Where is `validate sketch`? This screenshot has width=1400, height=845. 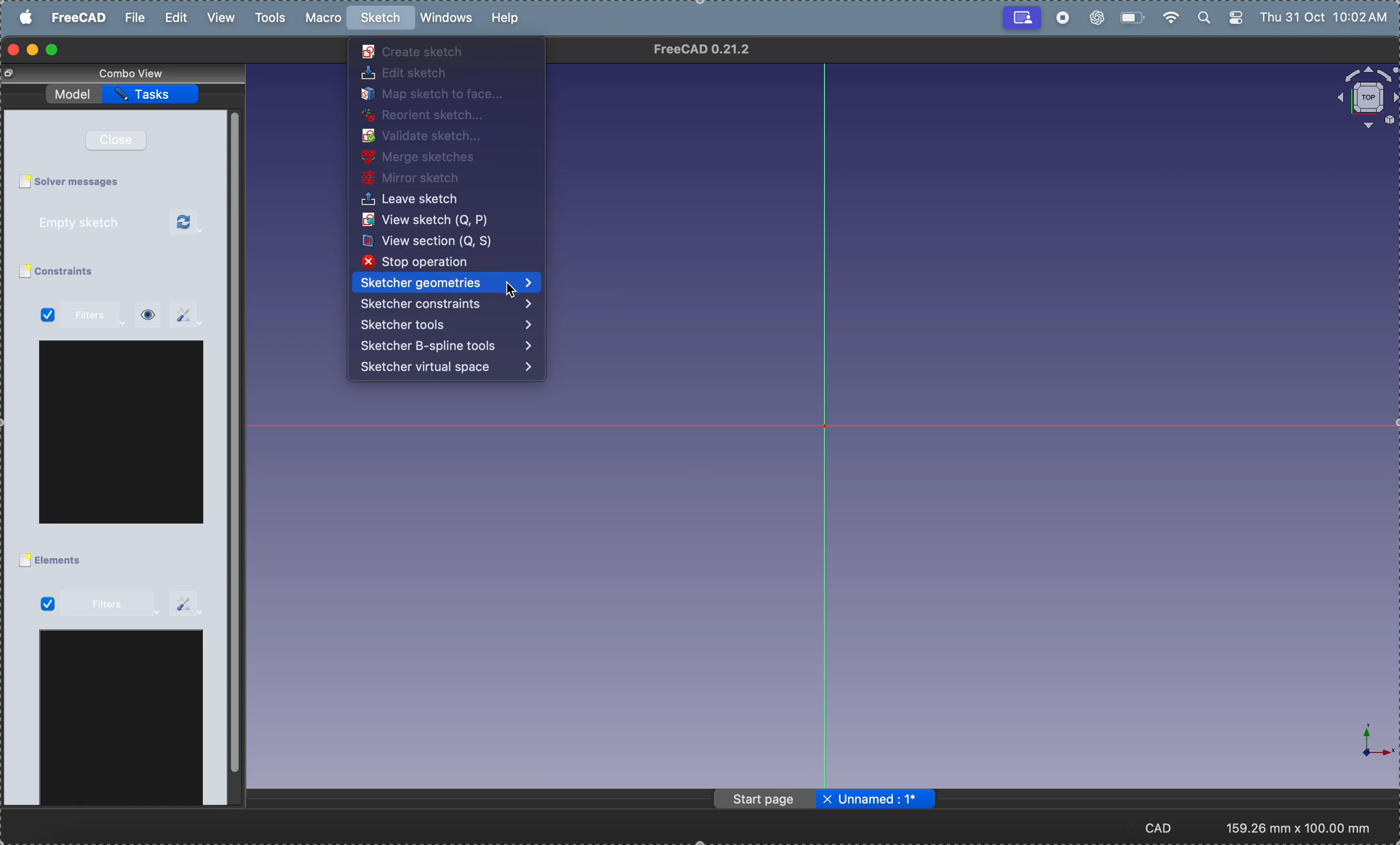
validate sketch is located at coordinates (438, 136).